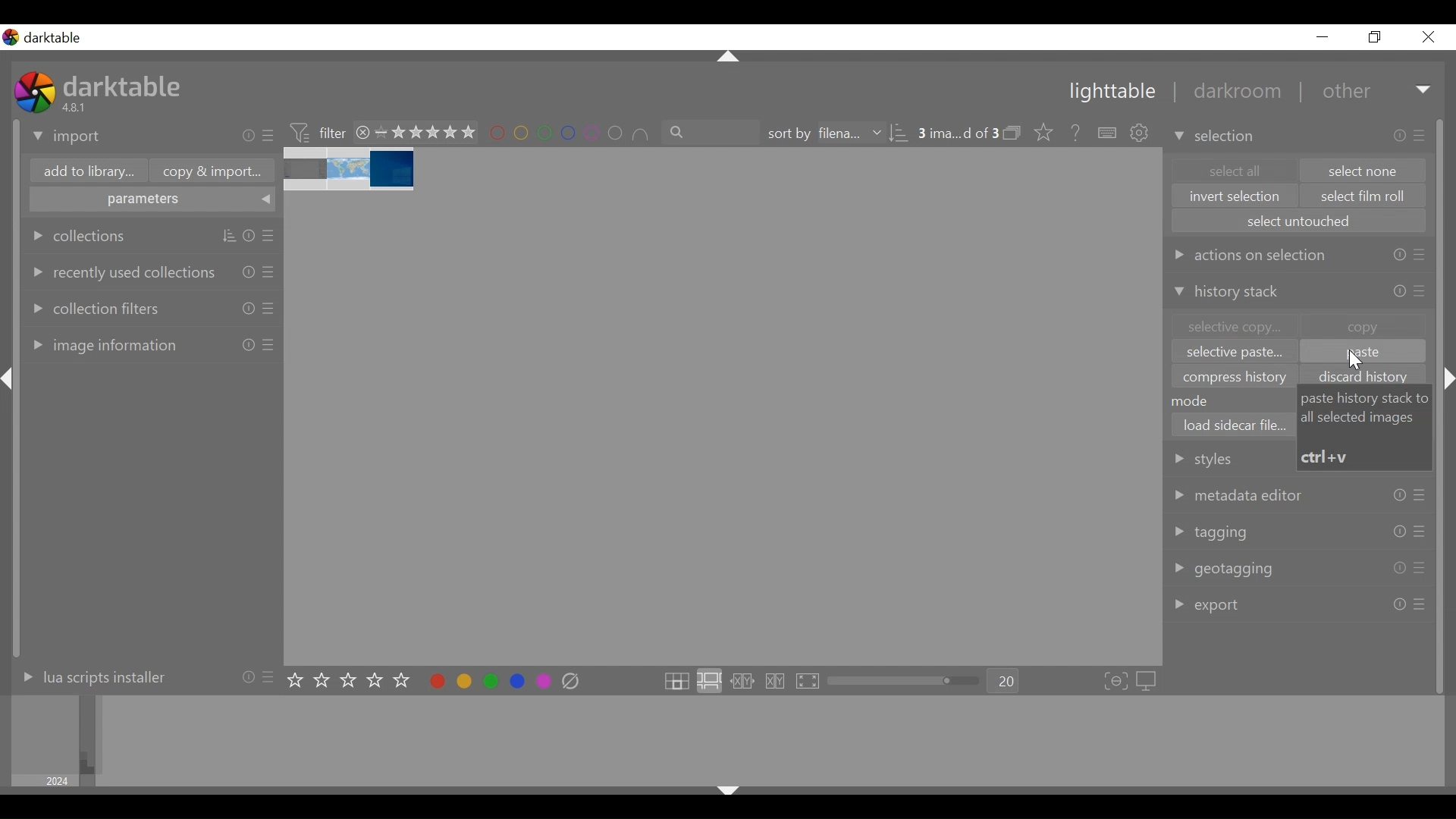  I want to click on info, so click(249, 237).